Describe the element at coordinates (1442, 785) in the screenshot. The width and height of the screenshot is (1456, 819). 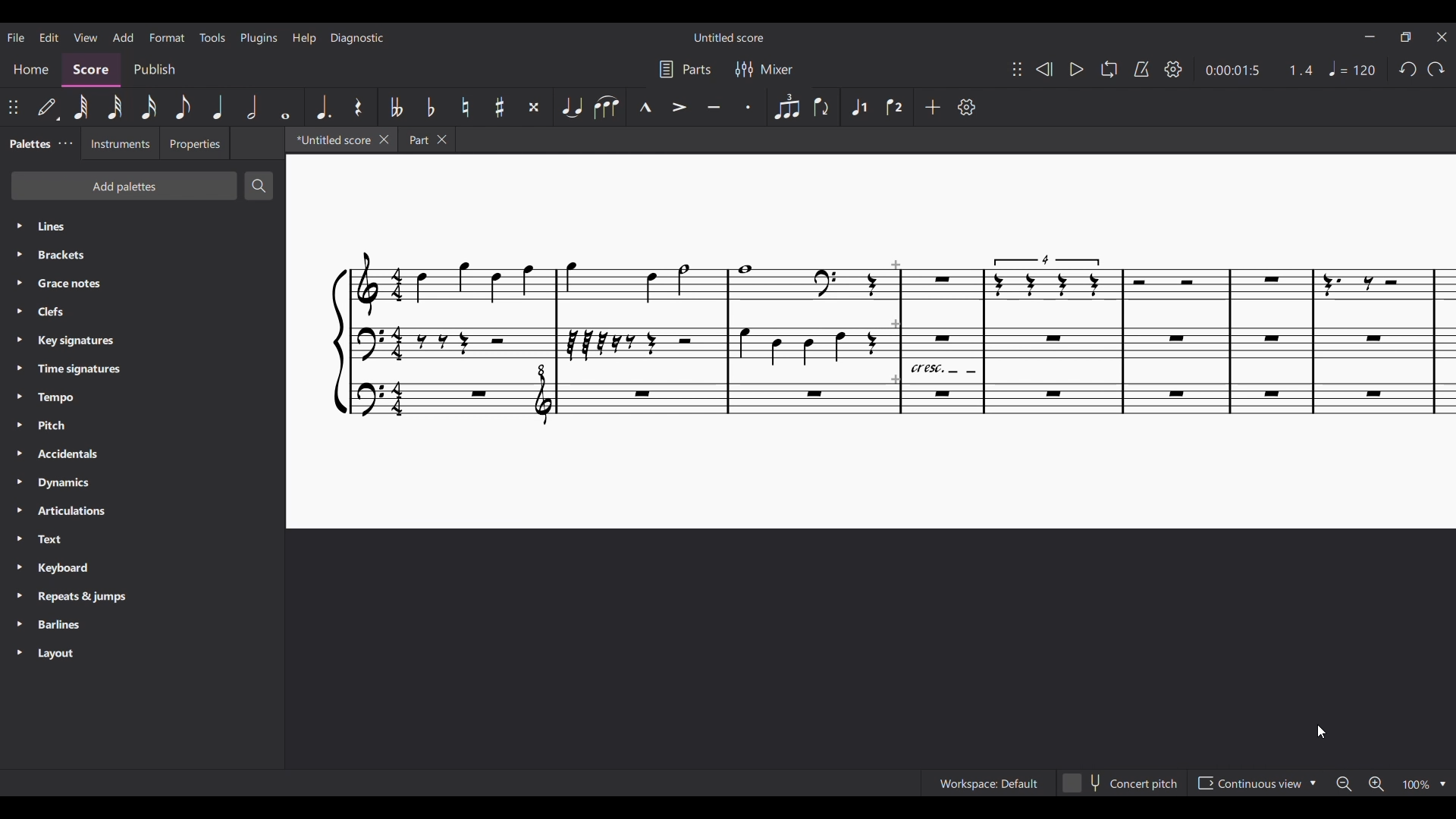
I see `Zoom options ` at that location.